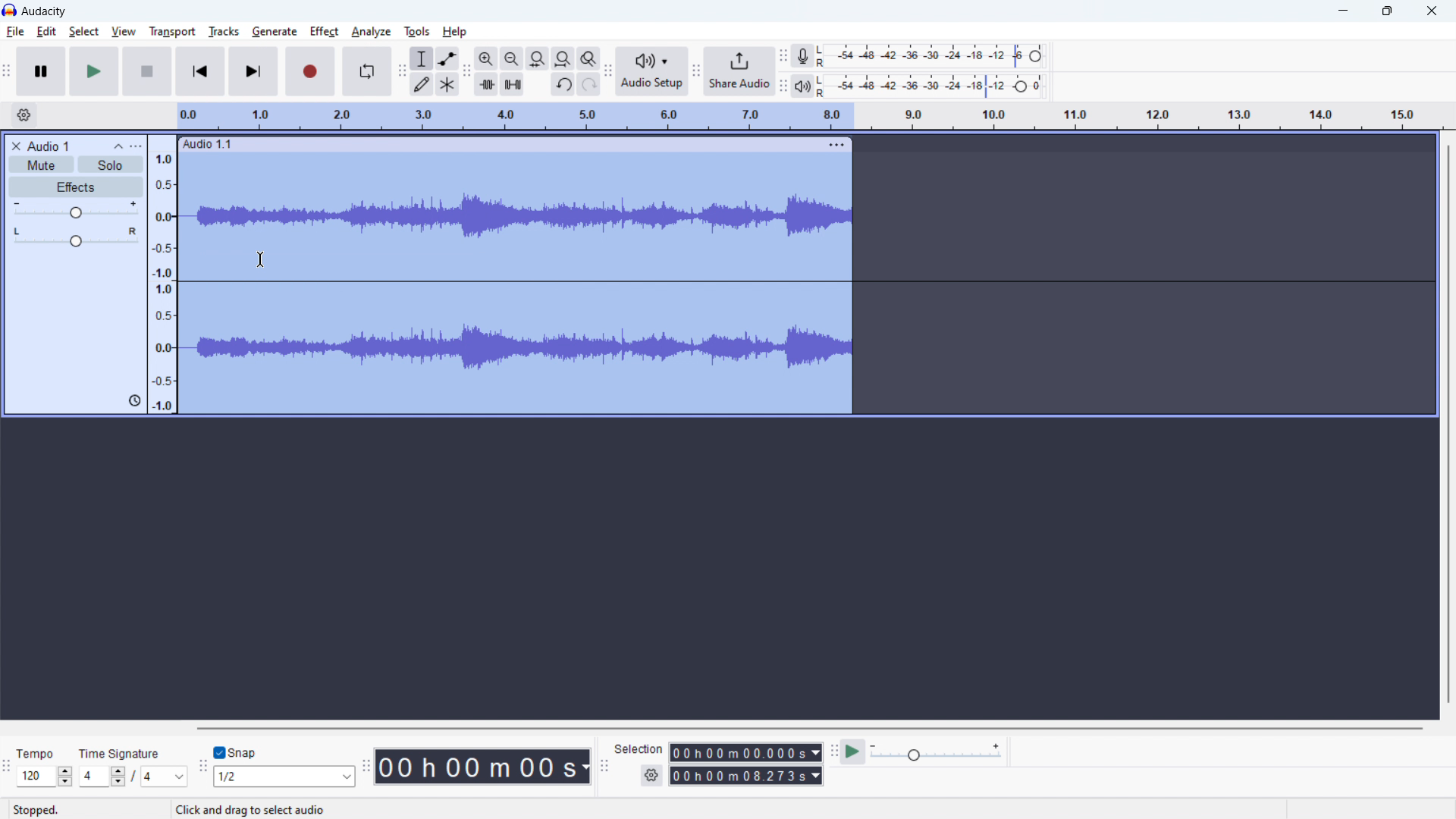 This screenshot has width=1456, height=819. I want to click on click to move, so click(503, 144).